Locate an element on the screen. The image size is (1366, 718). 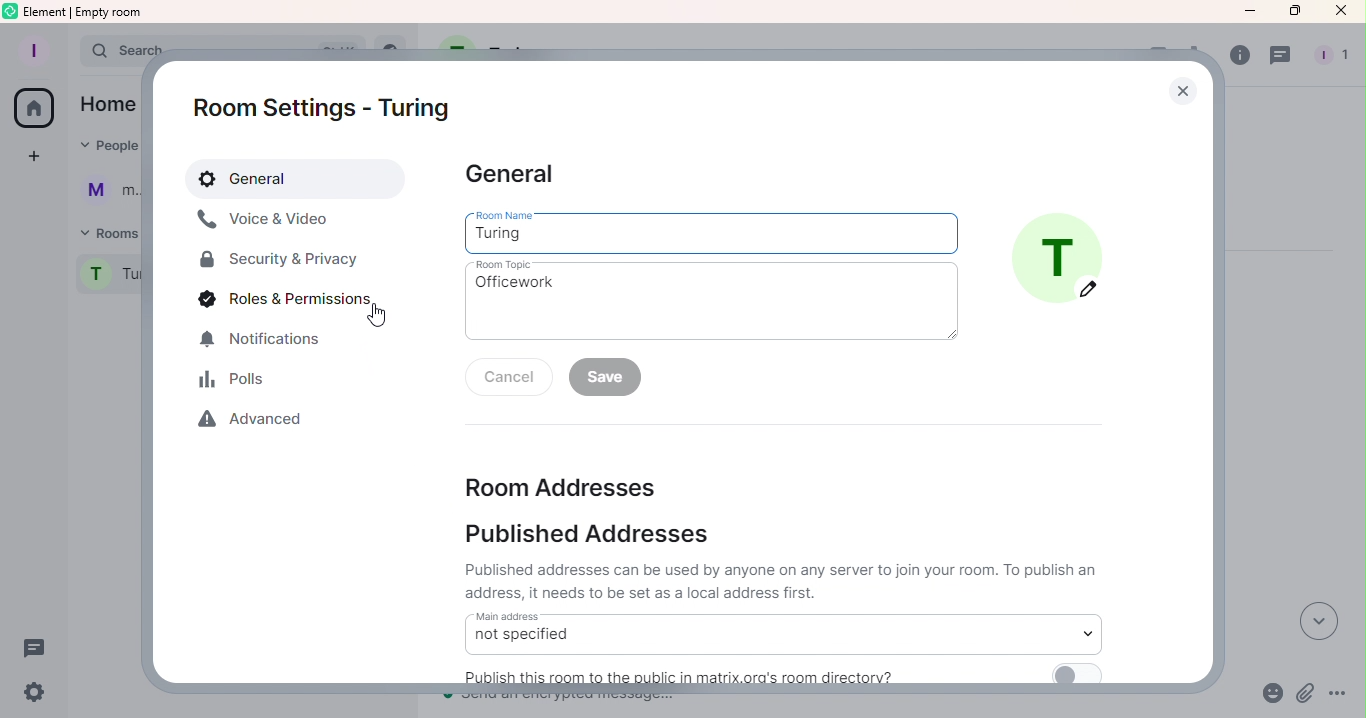
Close is located at coordinates (1337, 11).